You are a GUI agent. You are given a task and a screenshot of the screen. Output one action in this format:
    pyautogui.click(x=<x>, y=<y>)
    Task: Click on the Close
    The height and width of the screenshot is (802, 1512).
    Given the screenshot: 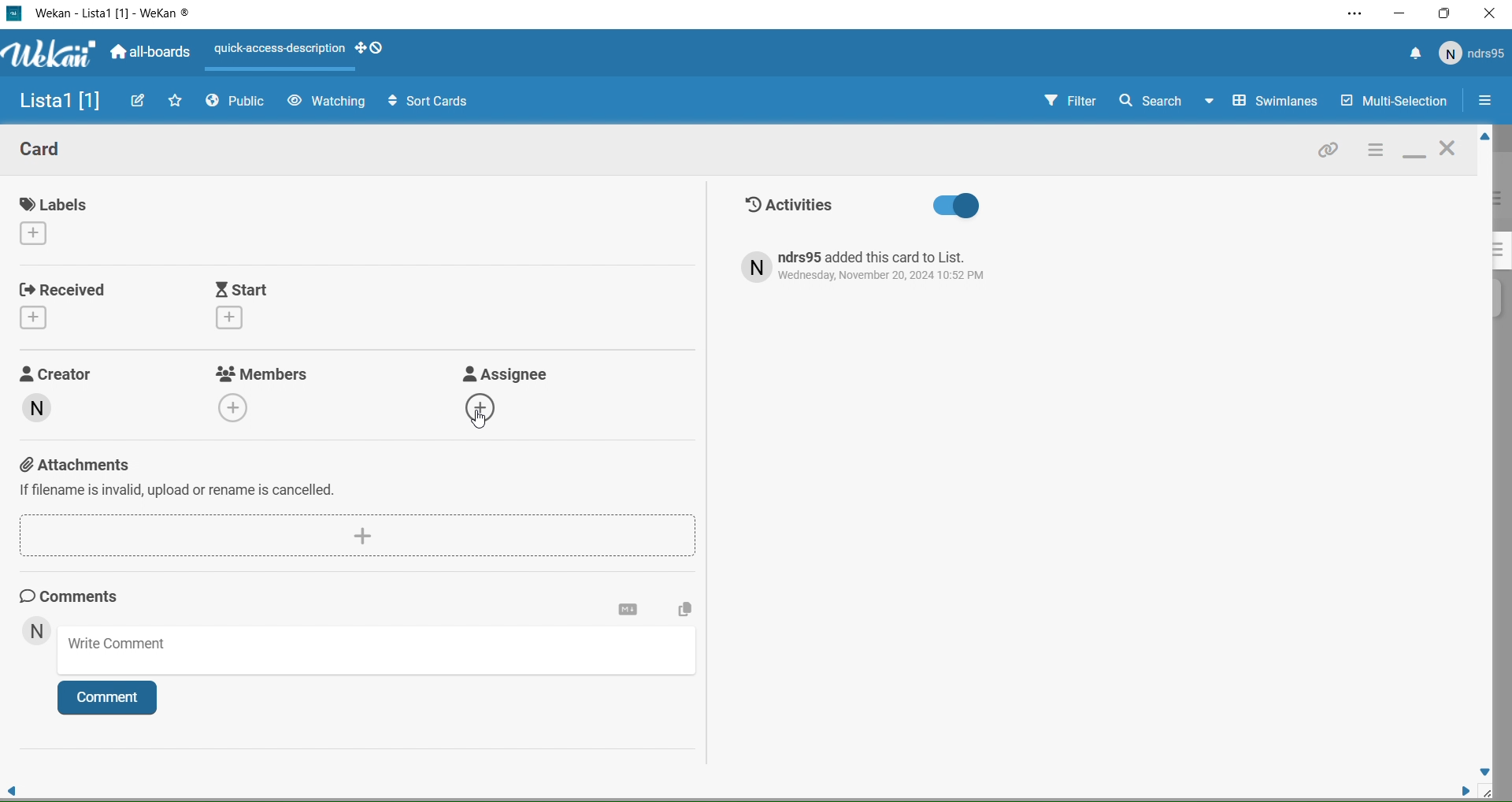 What is the action you would take?
    pyautogui.click(x=1490, y=16)
    